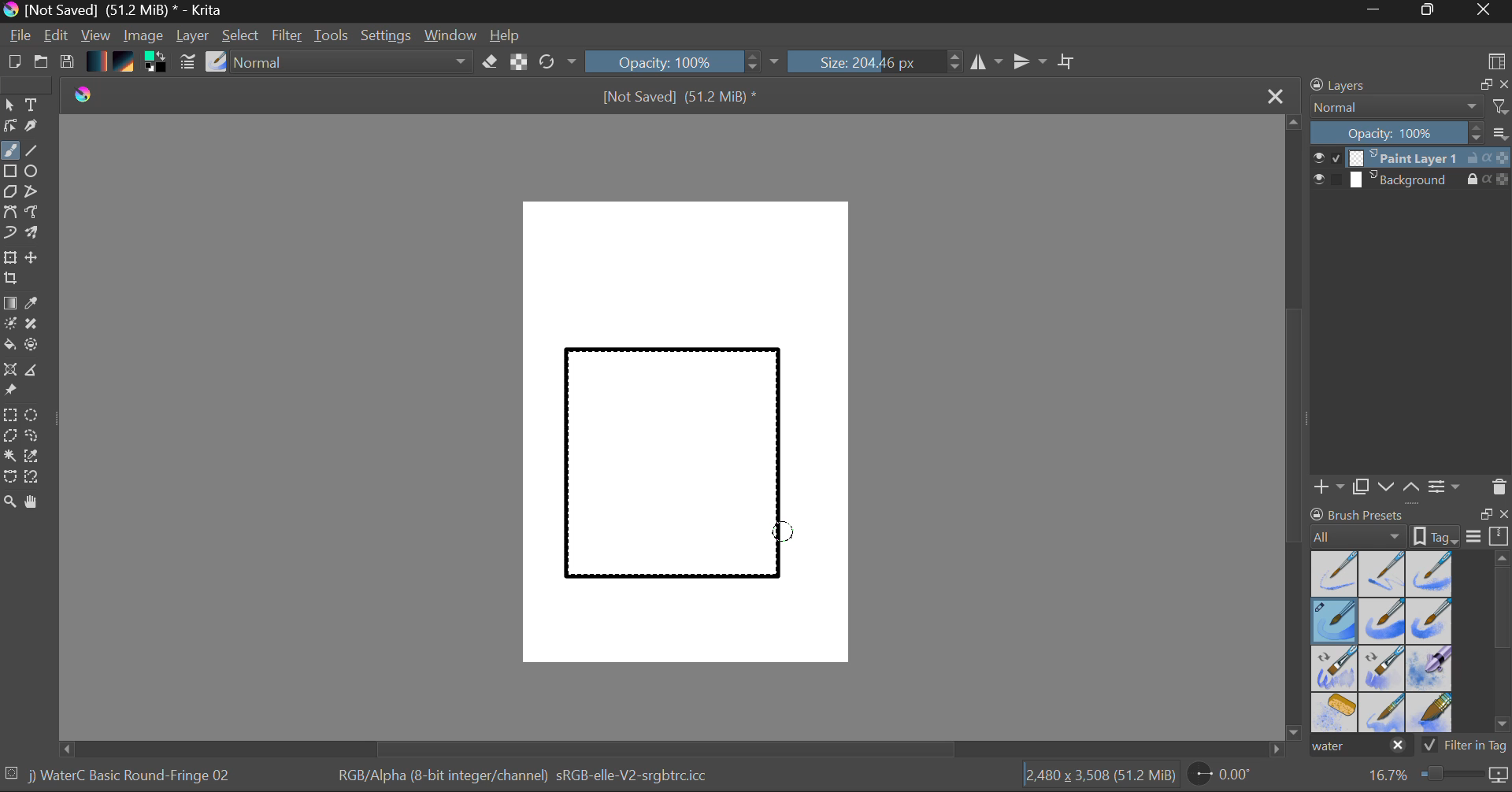  What do you see at coordinates (1412, 486) in the screenshot?
I see `Move Layer Up` at bounding box center [1412, 486].